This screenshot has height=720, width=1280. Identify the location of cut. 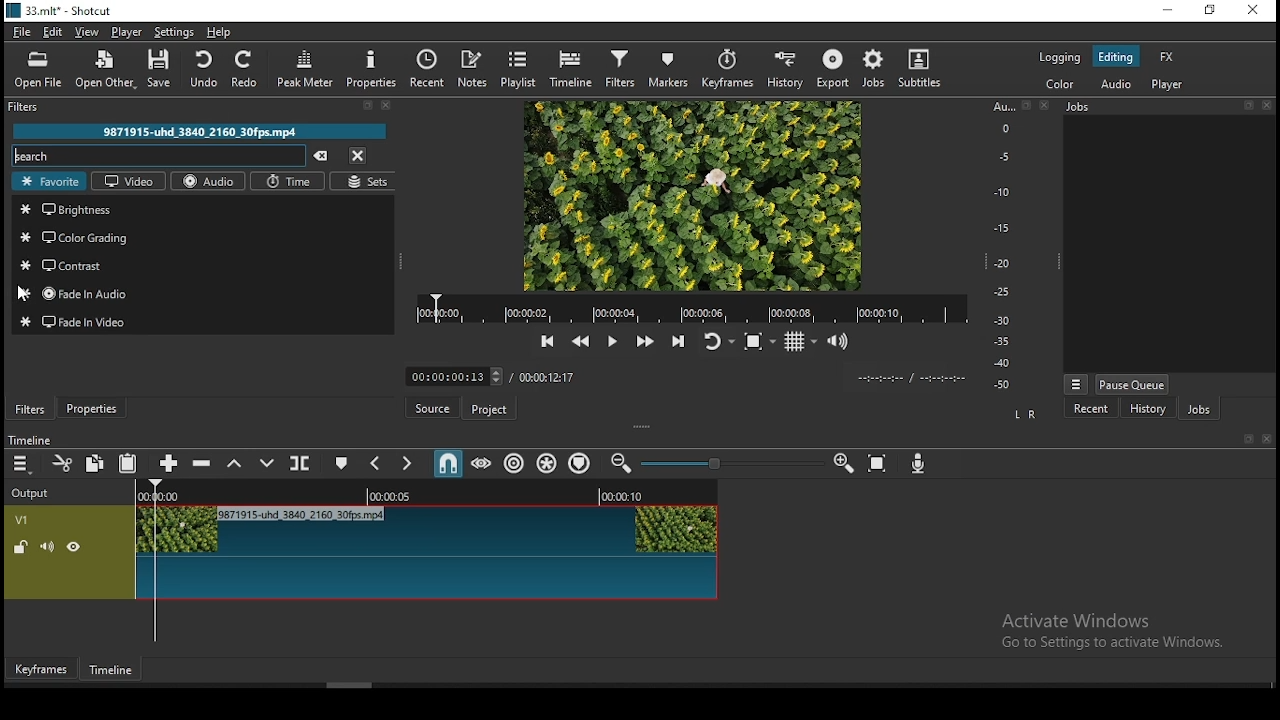
(64, 464).